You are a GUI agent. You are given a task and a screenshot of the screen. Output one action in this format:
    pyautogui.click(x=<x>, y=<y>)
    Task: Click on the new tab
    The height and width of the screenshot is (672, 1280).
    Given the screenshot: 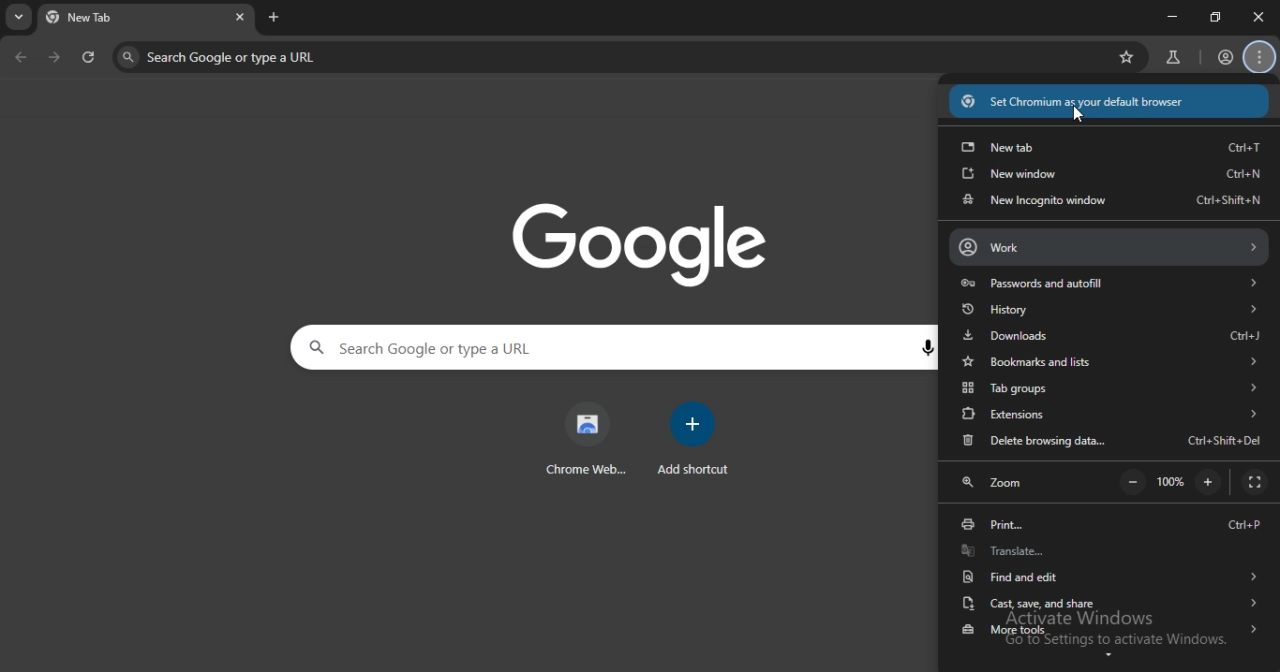 What is the action you would take?
    pyautogui.click(x=273, y=17)
    